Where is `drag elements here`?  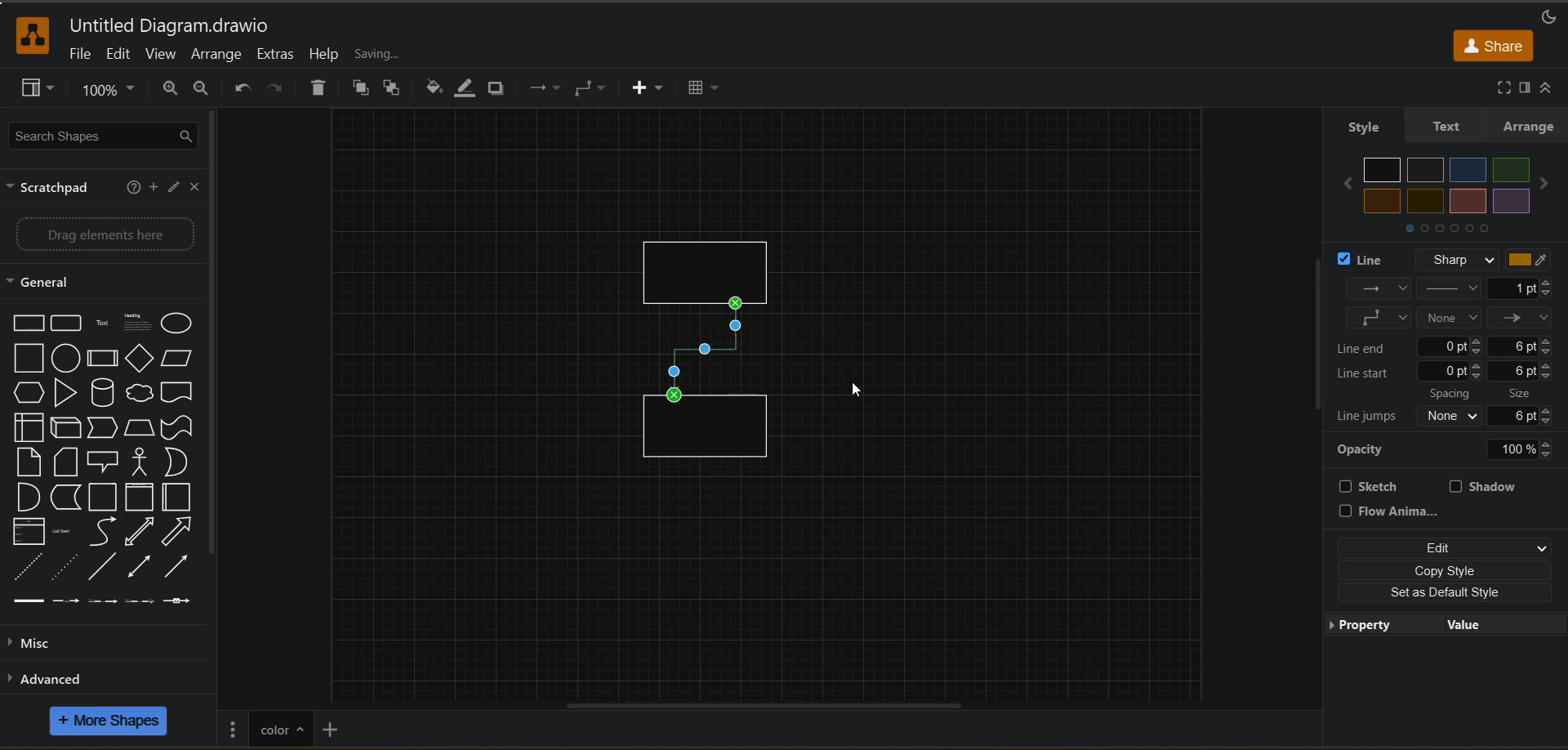
drag elements here is located at coordinates (109, 234).